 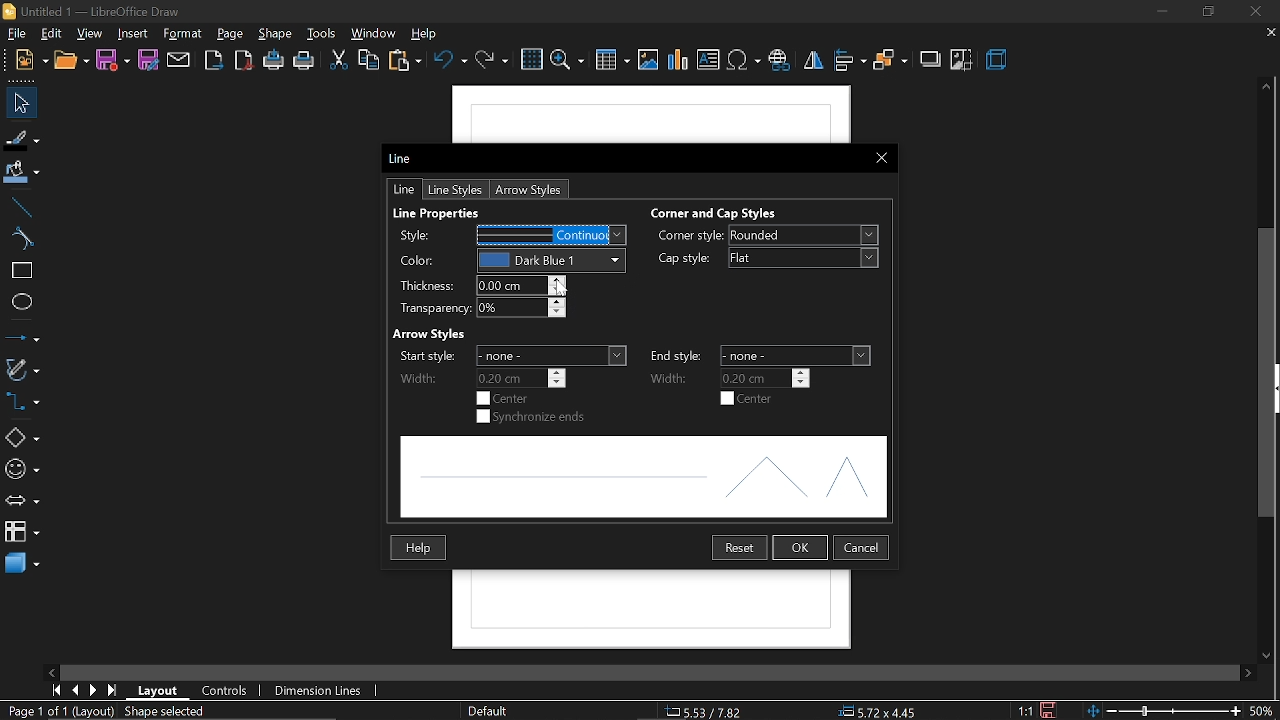 What do you see at coordinates (779, 61) in the screenshot?
I see `insert hyperlink` at bounding box center [779, 61].